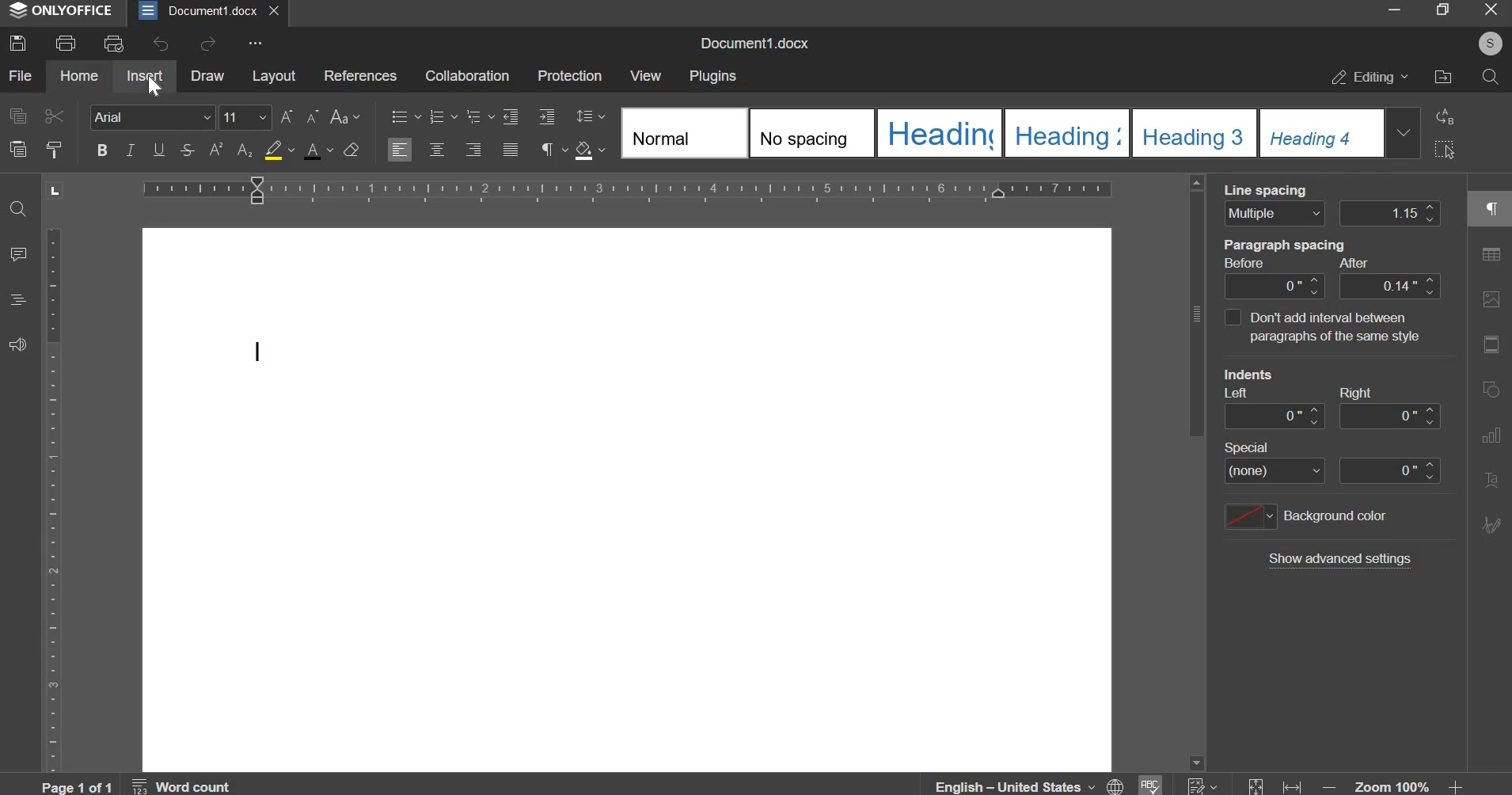 This screenshot has height=795, width=1512. Describe the element at coordinates (1389, 285) in the screenshot. I see `paragraph spacing` at that location.